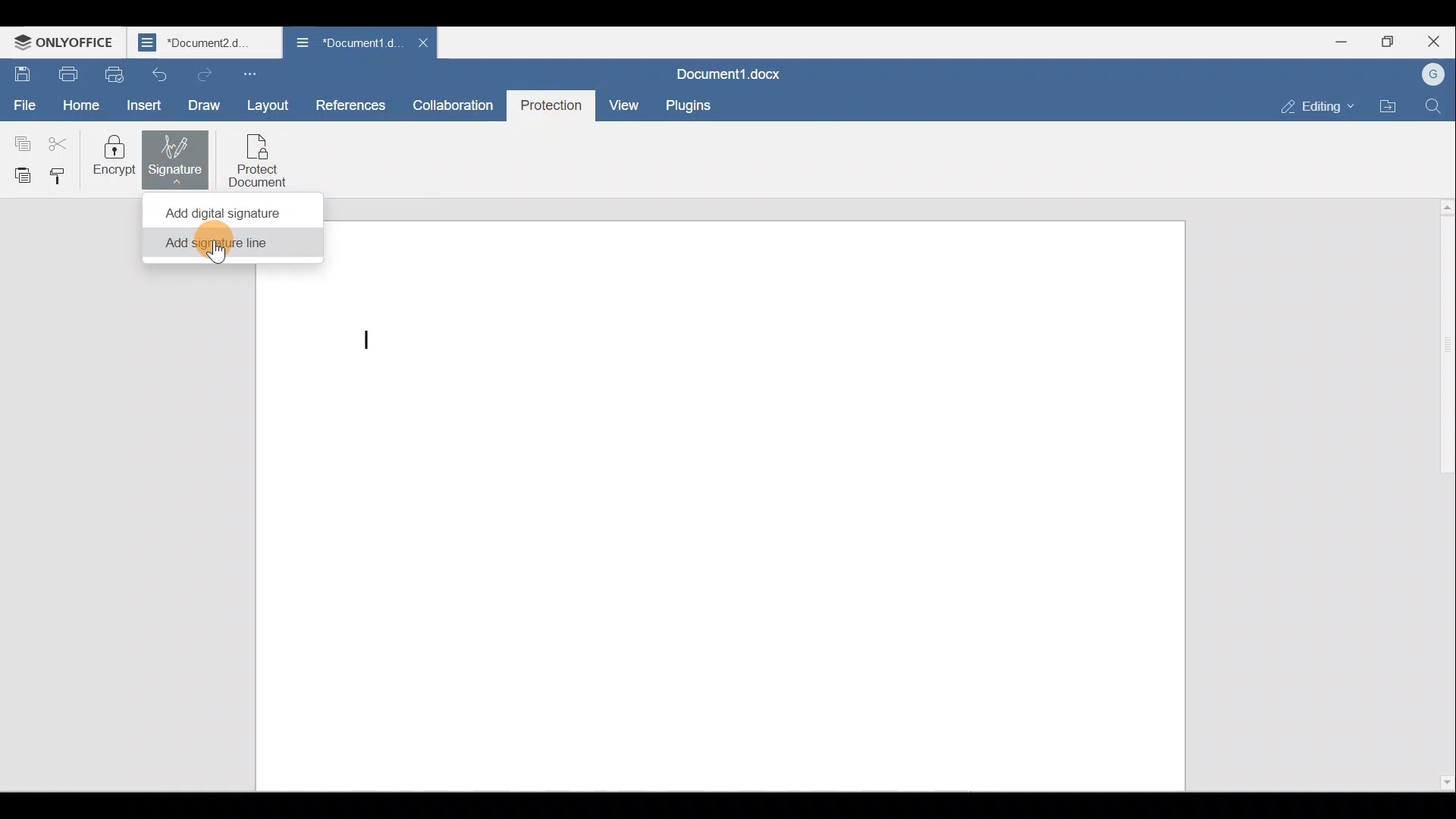  Describe the element at coordinates (347, 41) in the screenshot. I see `Document name` at that location.